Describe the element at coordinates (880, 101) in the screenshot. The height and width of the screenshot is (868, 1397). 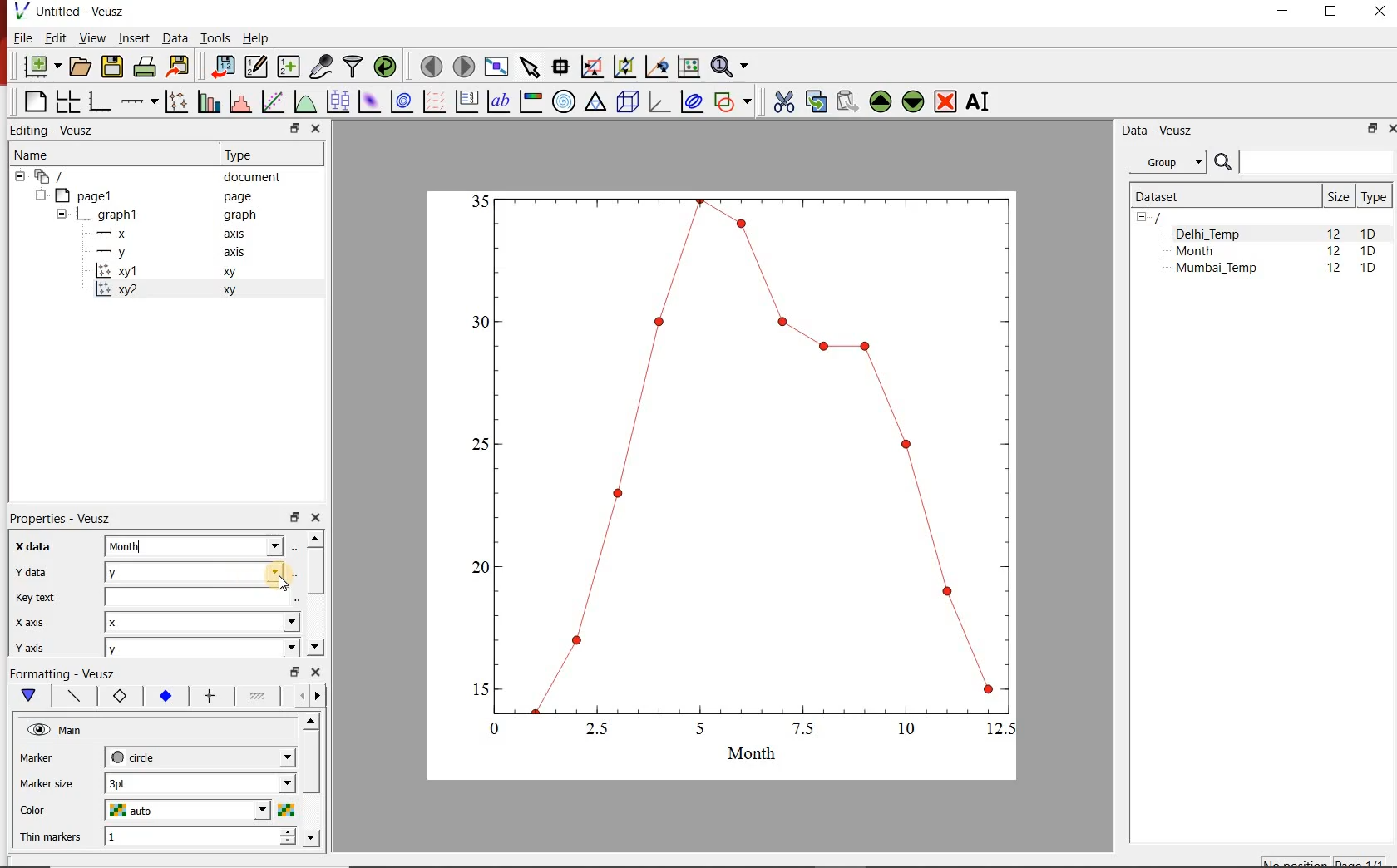
I see `move the selected widget up` at that location.